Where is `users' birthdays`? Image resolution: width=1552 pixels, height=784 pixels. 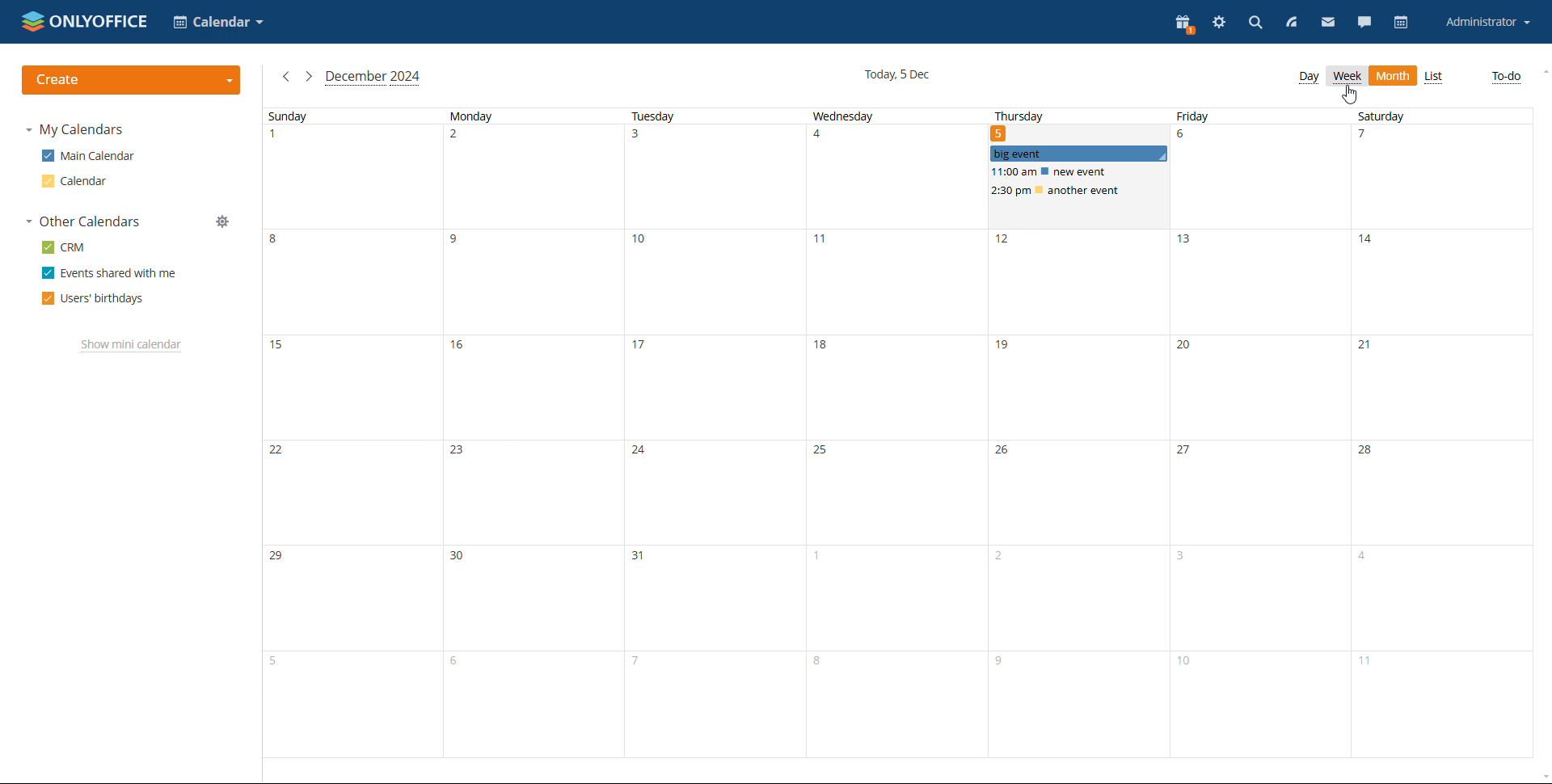
users' birthdays is located at coordinates (93, 298).